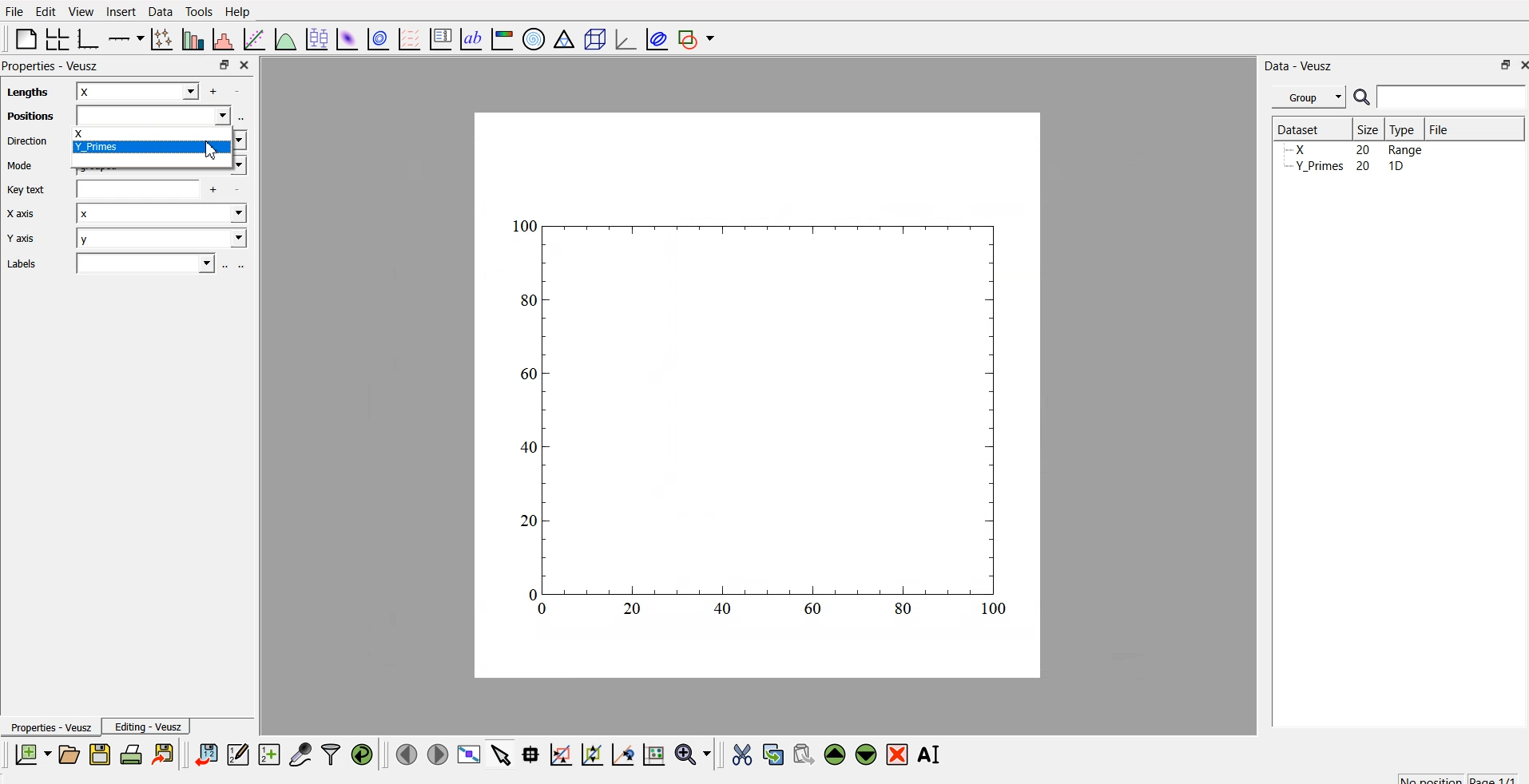 The image size is (1529, 784). What do you see at coordinates (239, 754) in the screenshot?
I see `editor` at bounding box center [239, 754].